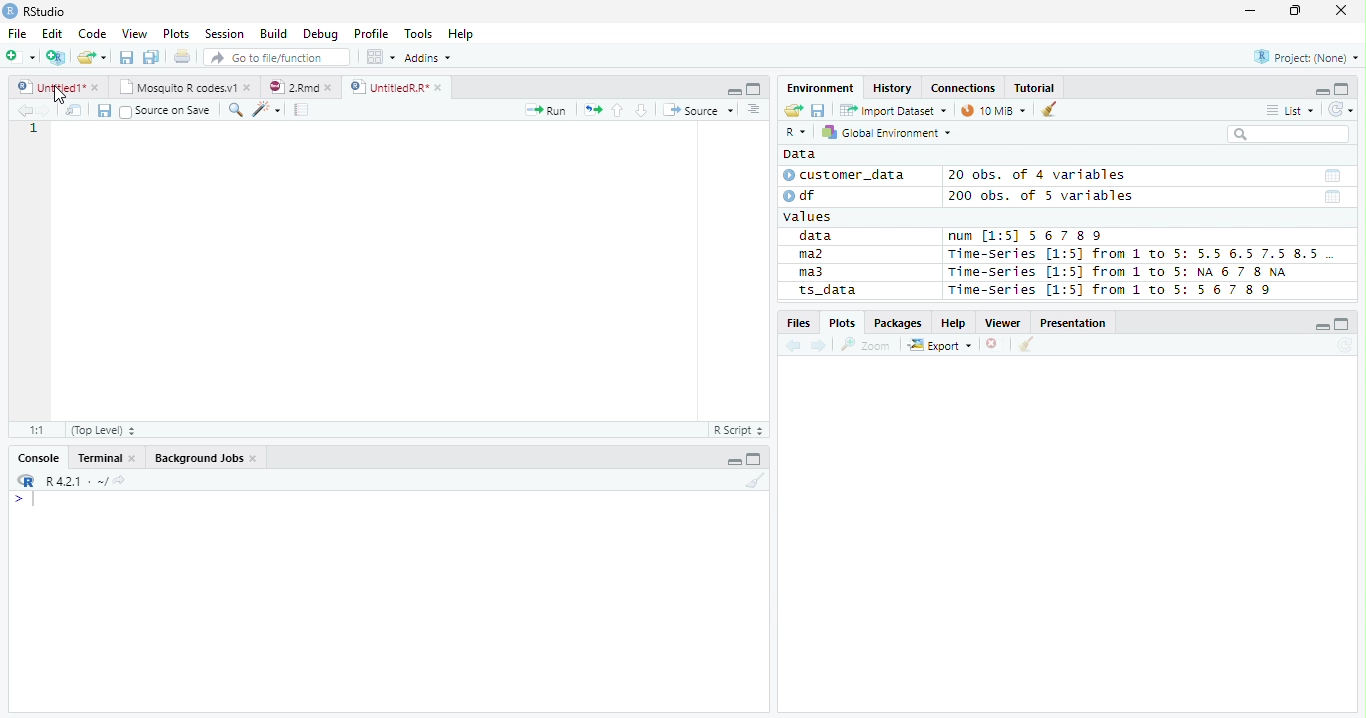 The image size is (1366, 718). Describe the element at coordinates (1298, 11) in the screenshot. I see `Restore Down` at that location.